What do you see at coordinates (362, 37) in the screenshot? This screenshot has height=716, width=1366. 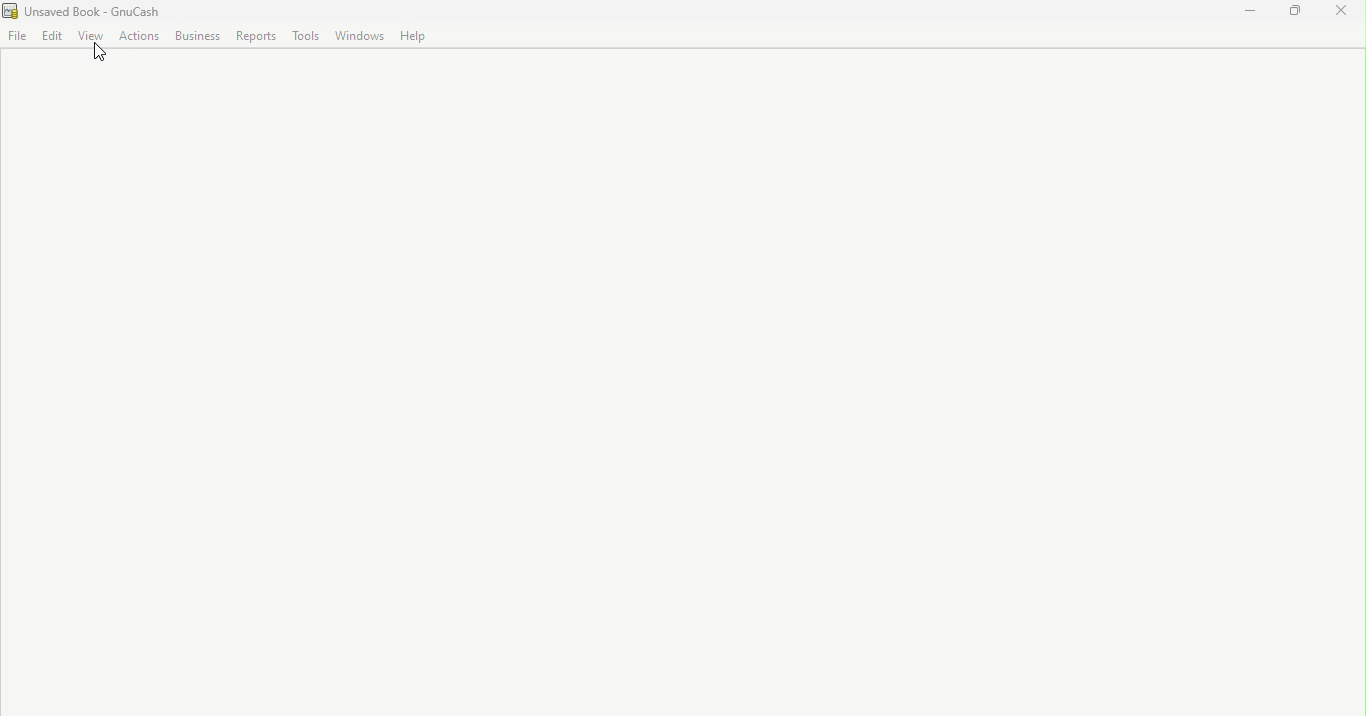 I see `WIndows` at bounding box center [362, 37].